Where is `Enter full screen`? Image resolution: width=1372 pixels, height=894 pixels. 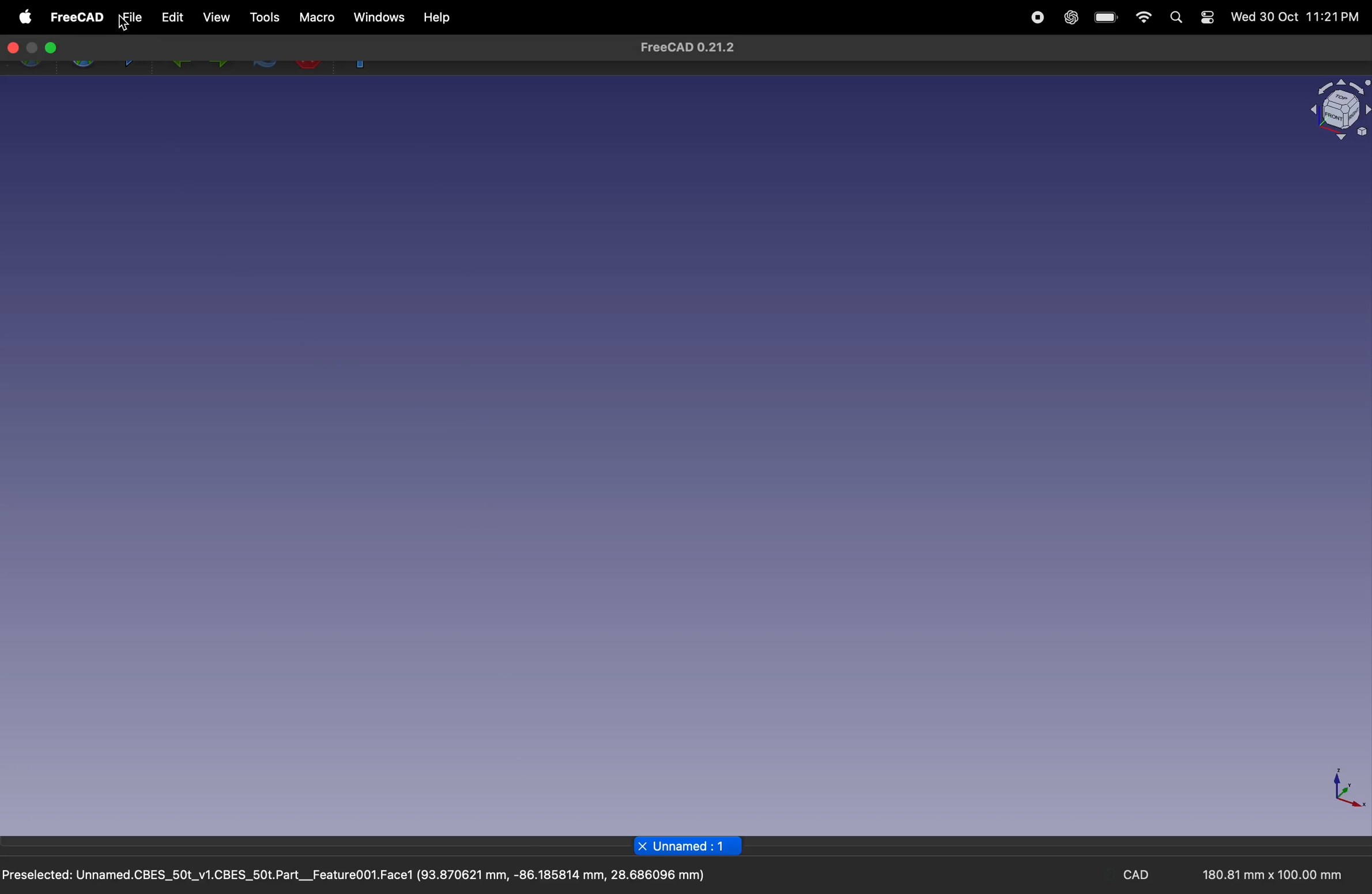 Enter full screen is located at coordinates (51, 48).